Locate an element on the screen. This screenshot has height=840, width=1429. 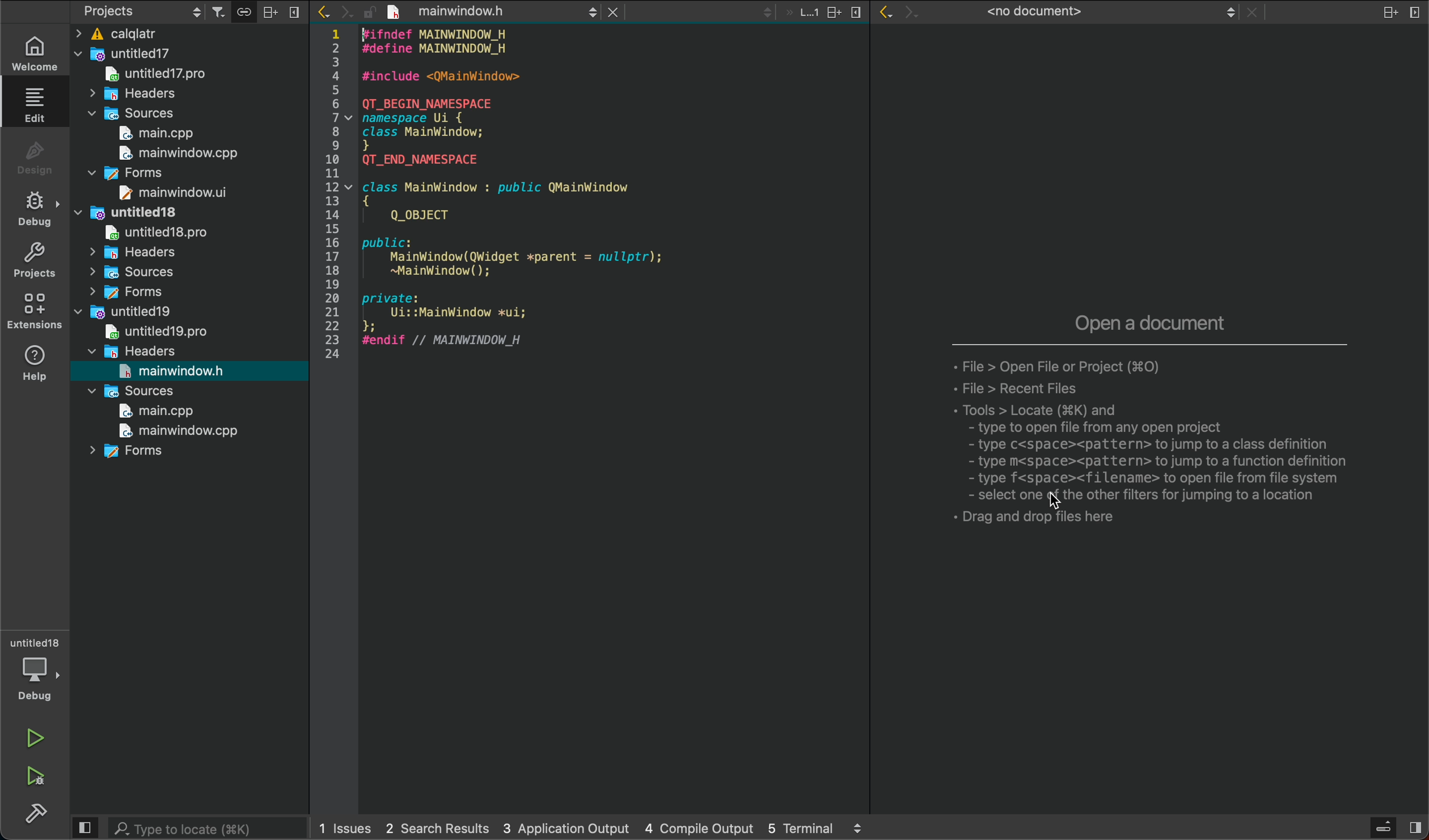
untitled is located at coordinates (34, 642).